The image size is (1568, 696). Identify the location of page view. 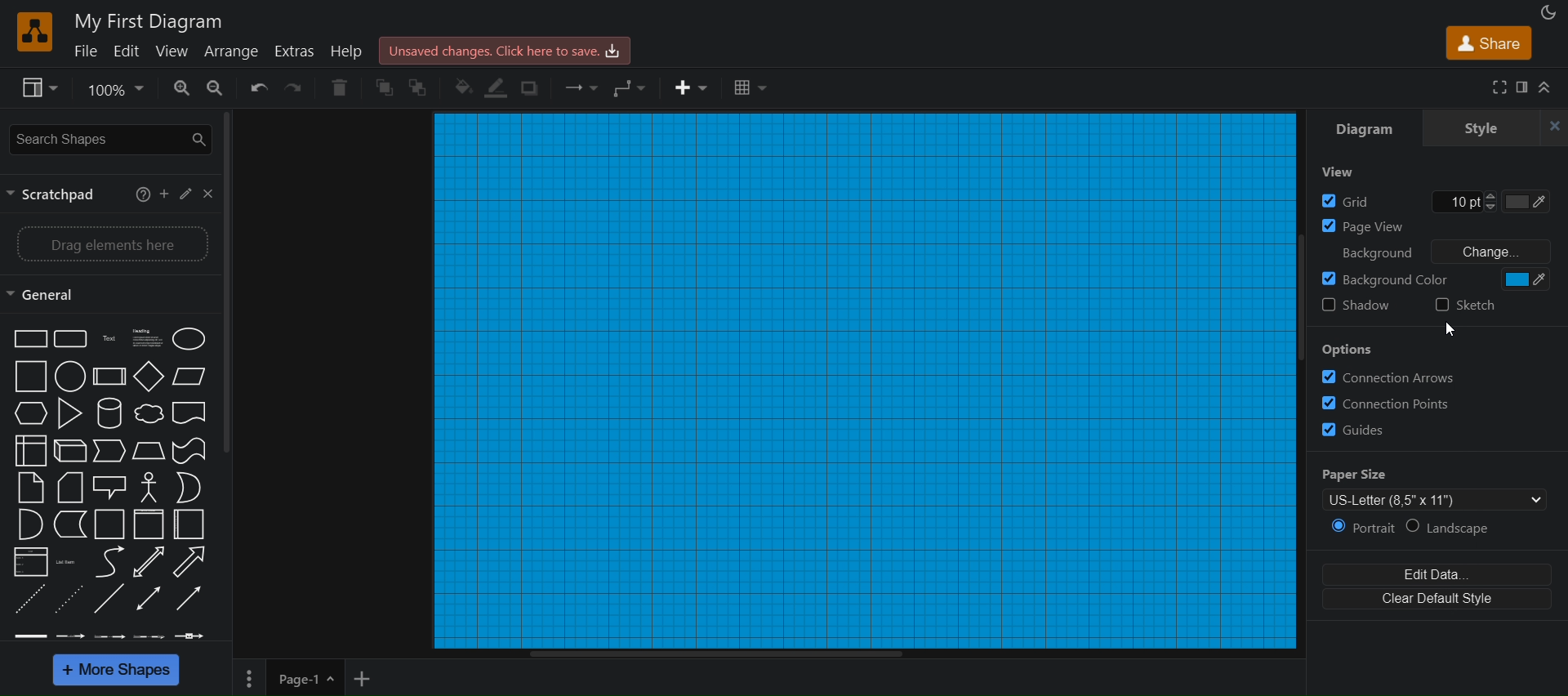
(1434, 225).